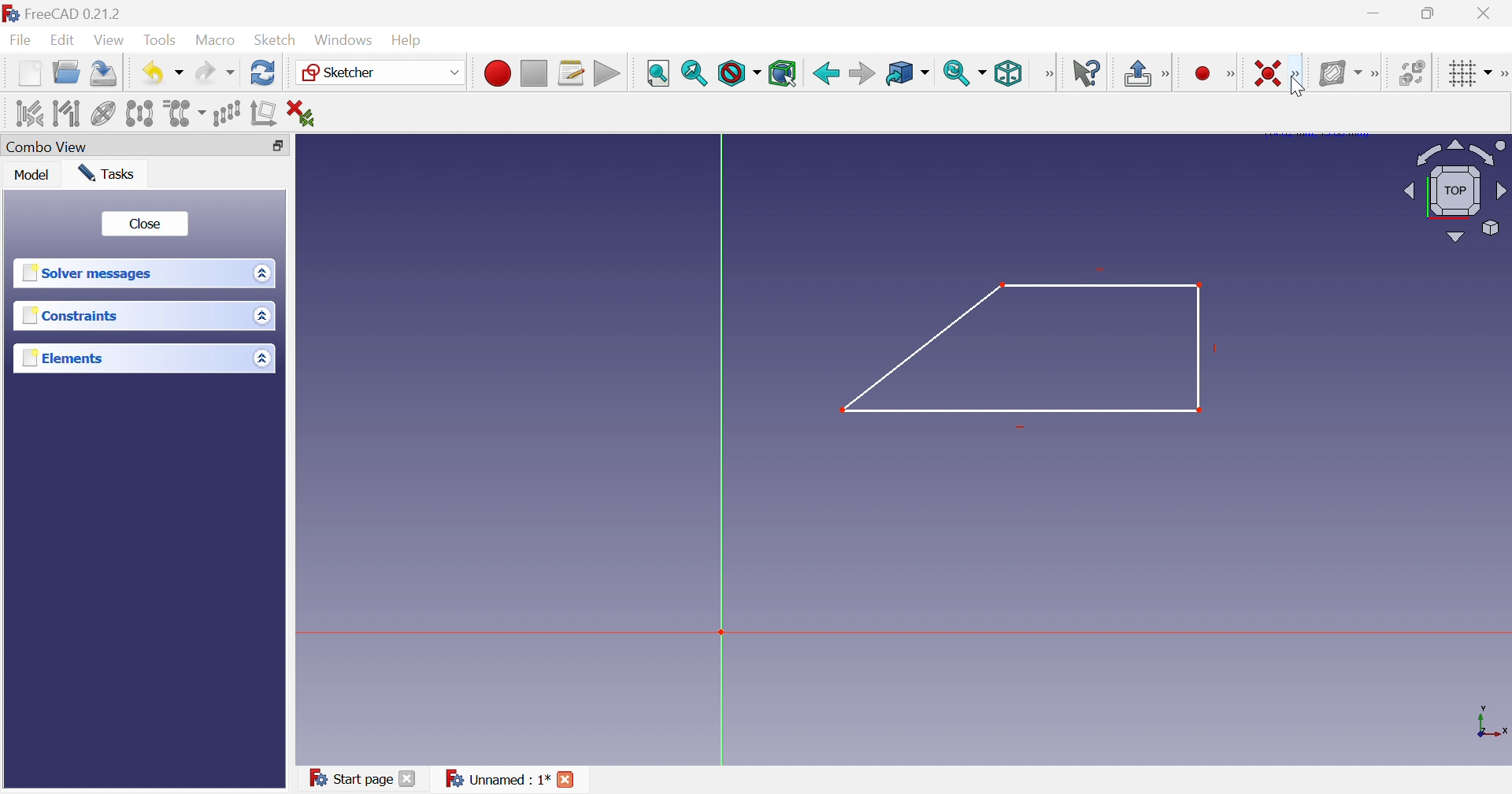  Describe the element at coordinates (413, 39) in the screenshot. I see `Help` at that location.